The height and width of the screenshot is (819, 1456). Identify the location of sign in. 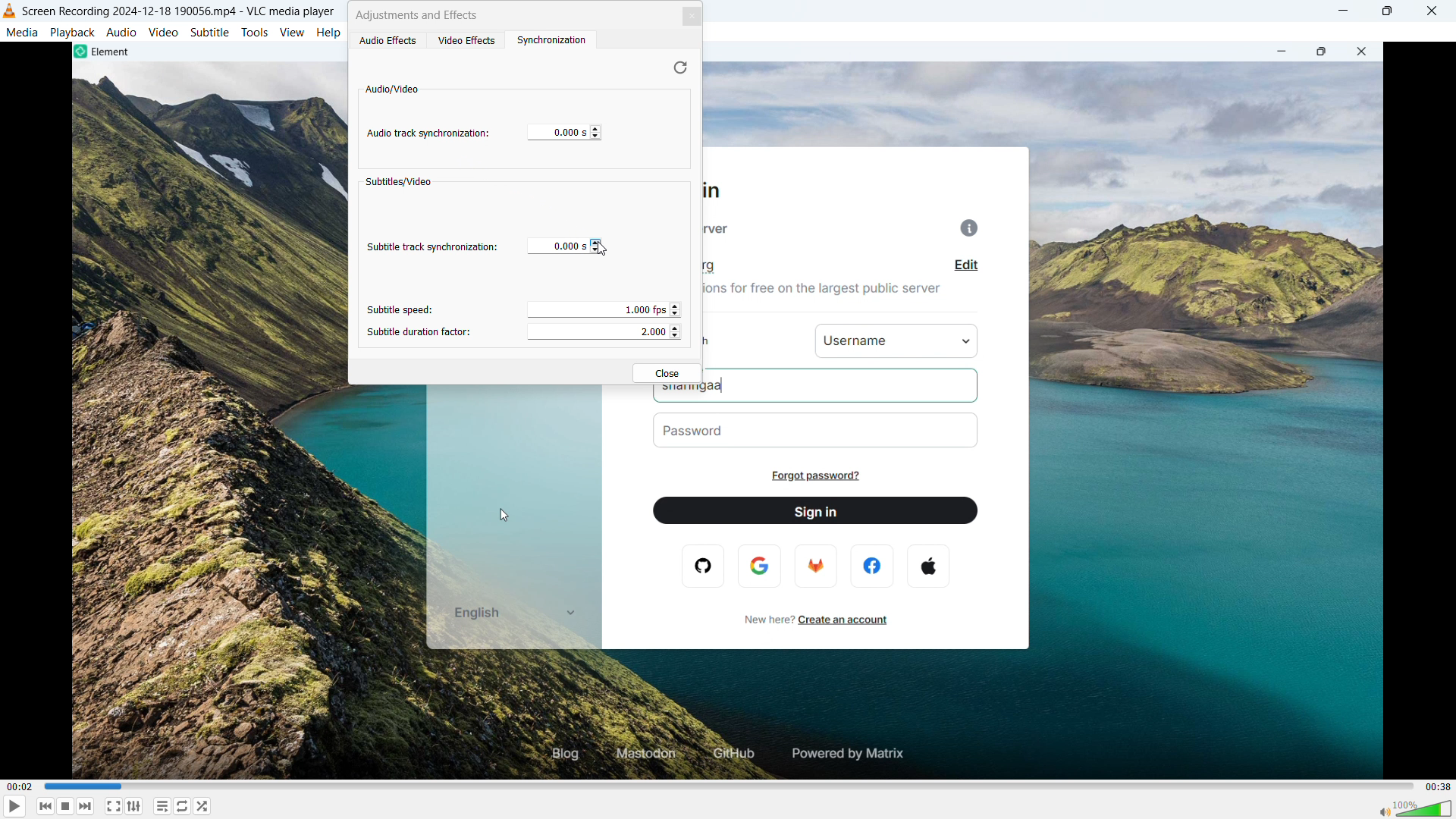
(722, 192).